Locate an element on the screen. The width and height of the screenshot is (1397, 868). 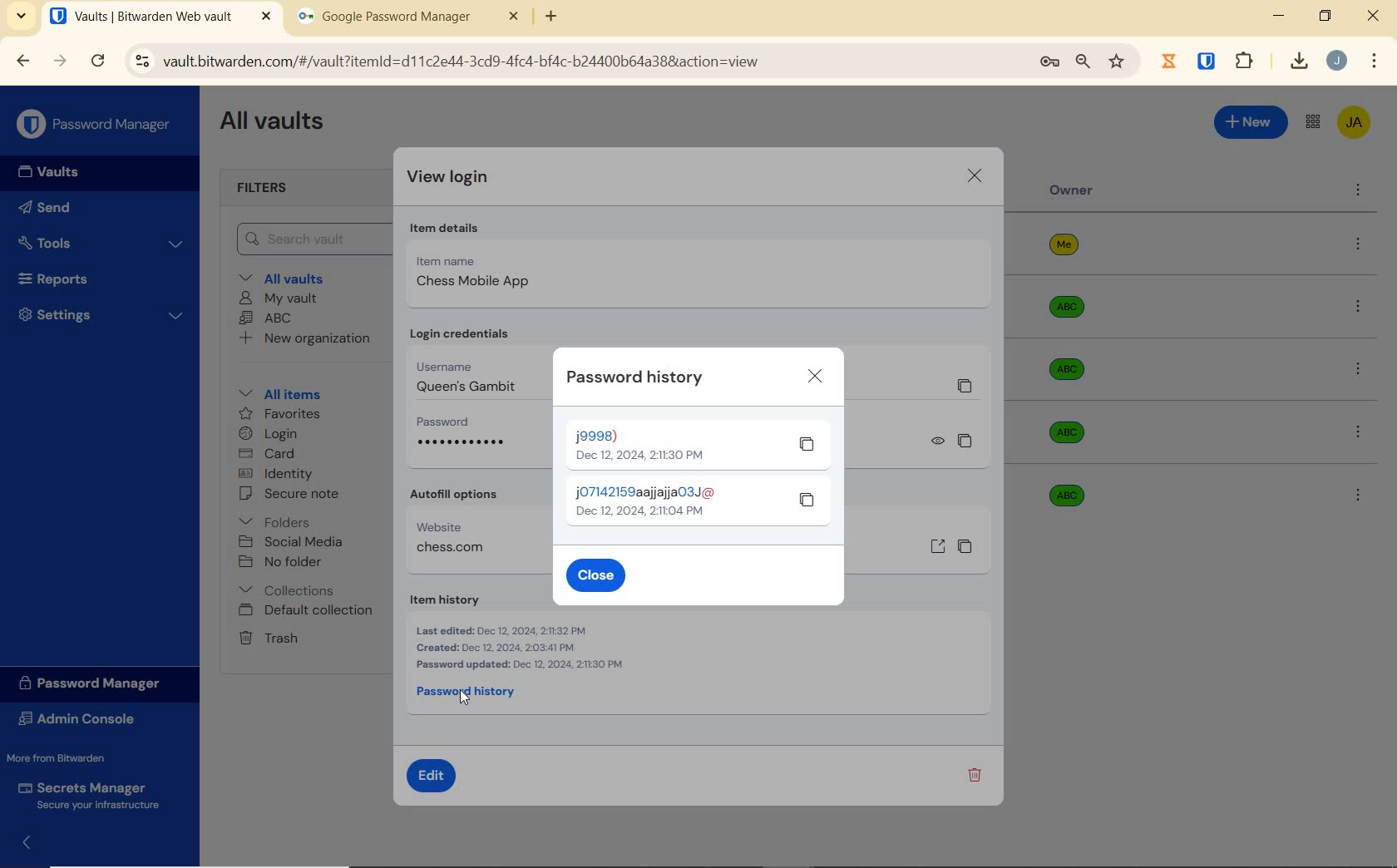
Last edited: Dec 12, 2024, 27:32 PM
Created: Dec 12.2024, 20341 PM
Password updated: Dec 12, 2024, 21130 PM is located at coordinates (521, 649).